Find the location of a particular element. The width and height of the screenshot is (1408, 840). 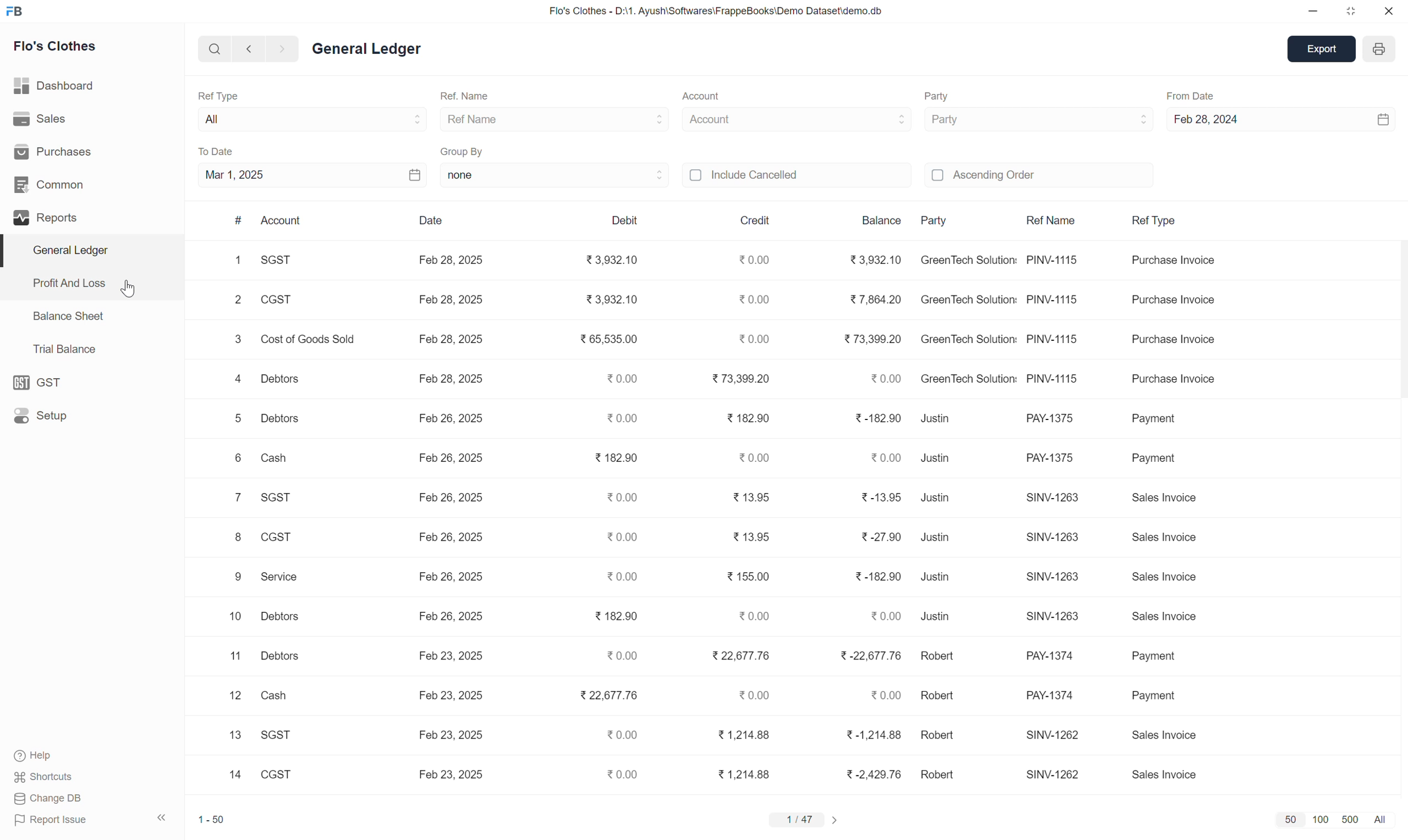

Robert is located at coordinates (939, 696).